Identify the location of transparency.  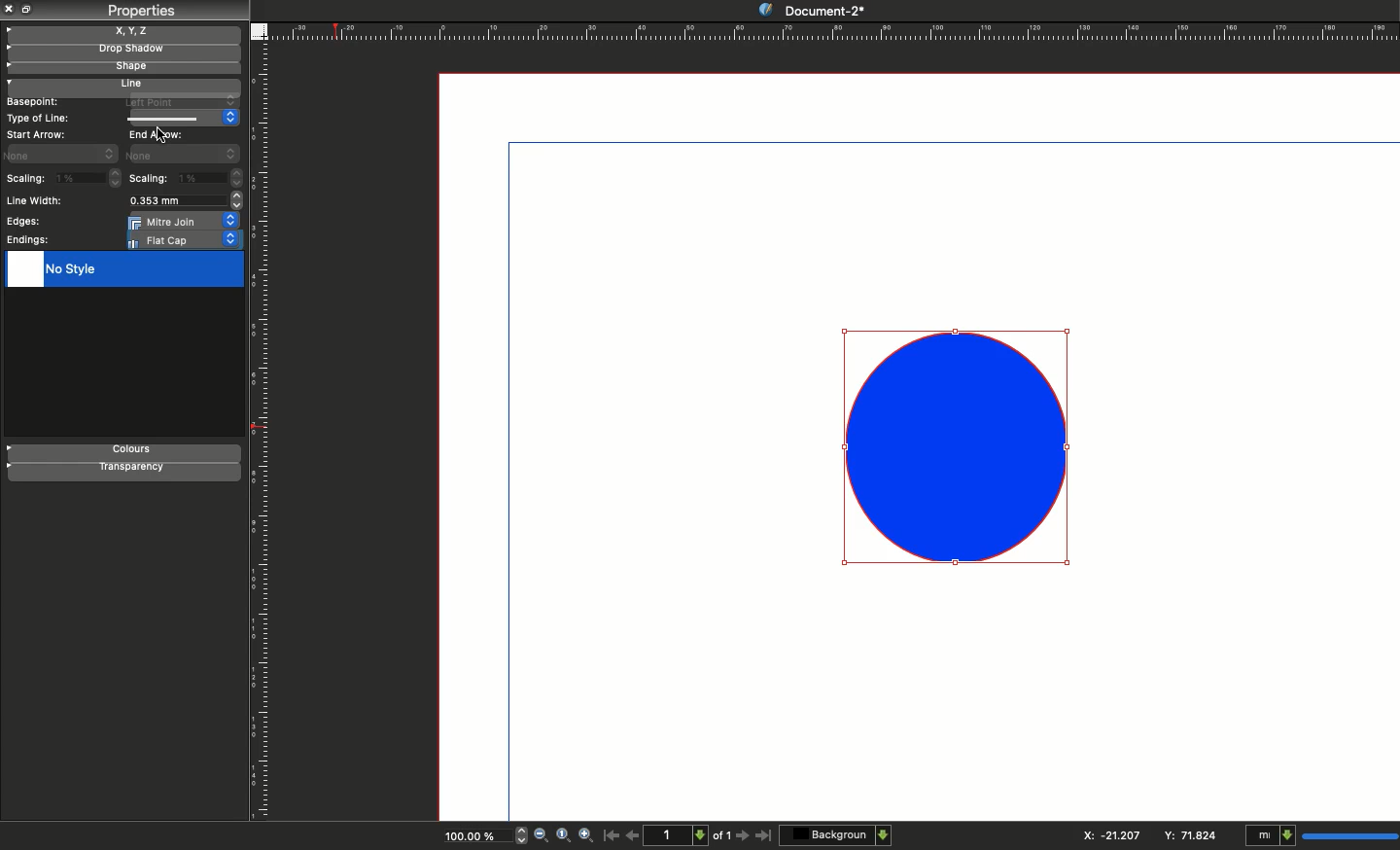
(124, 472).